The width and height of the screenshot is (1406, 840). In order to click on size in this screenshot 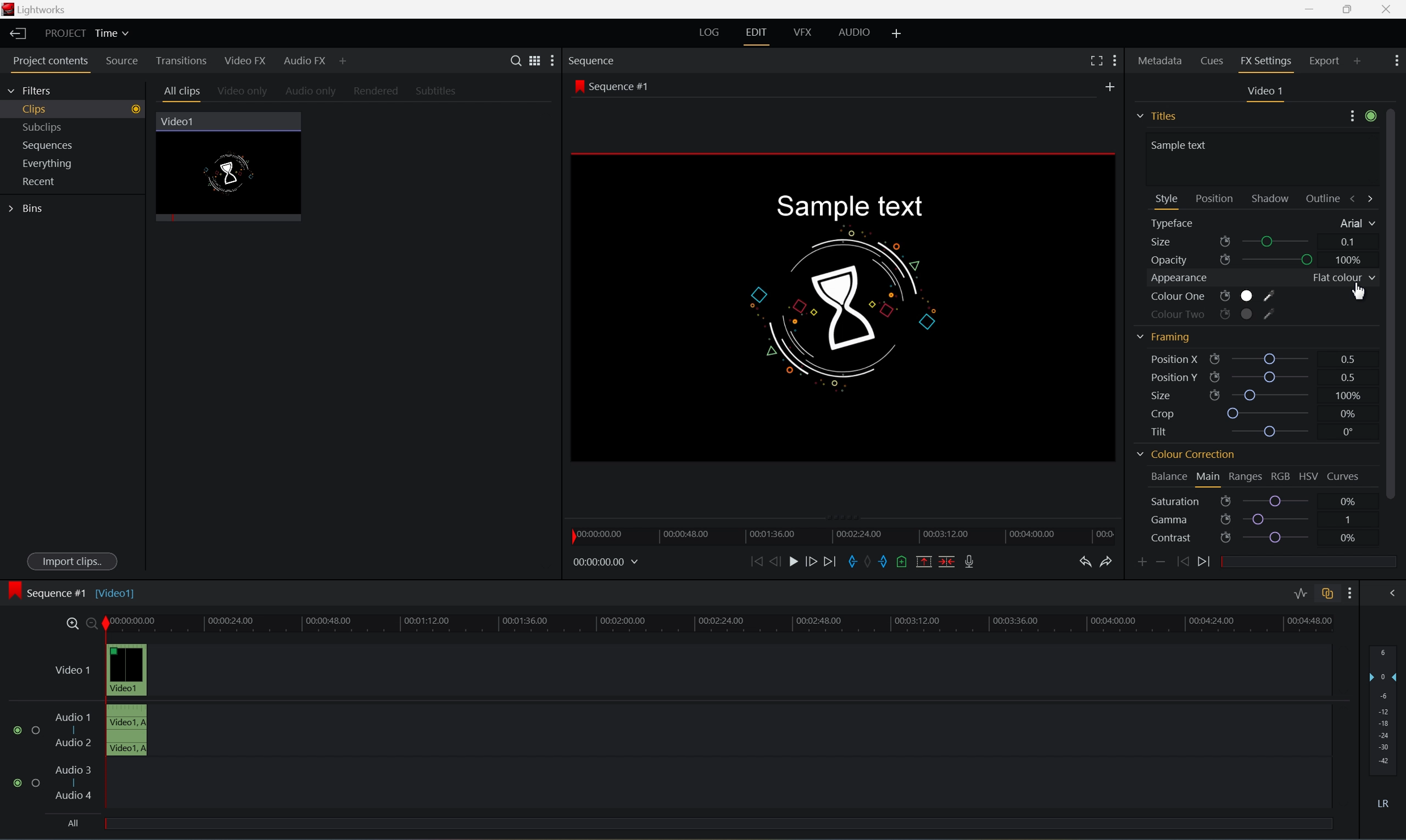, I will do `click(1183, 395)`.